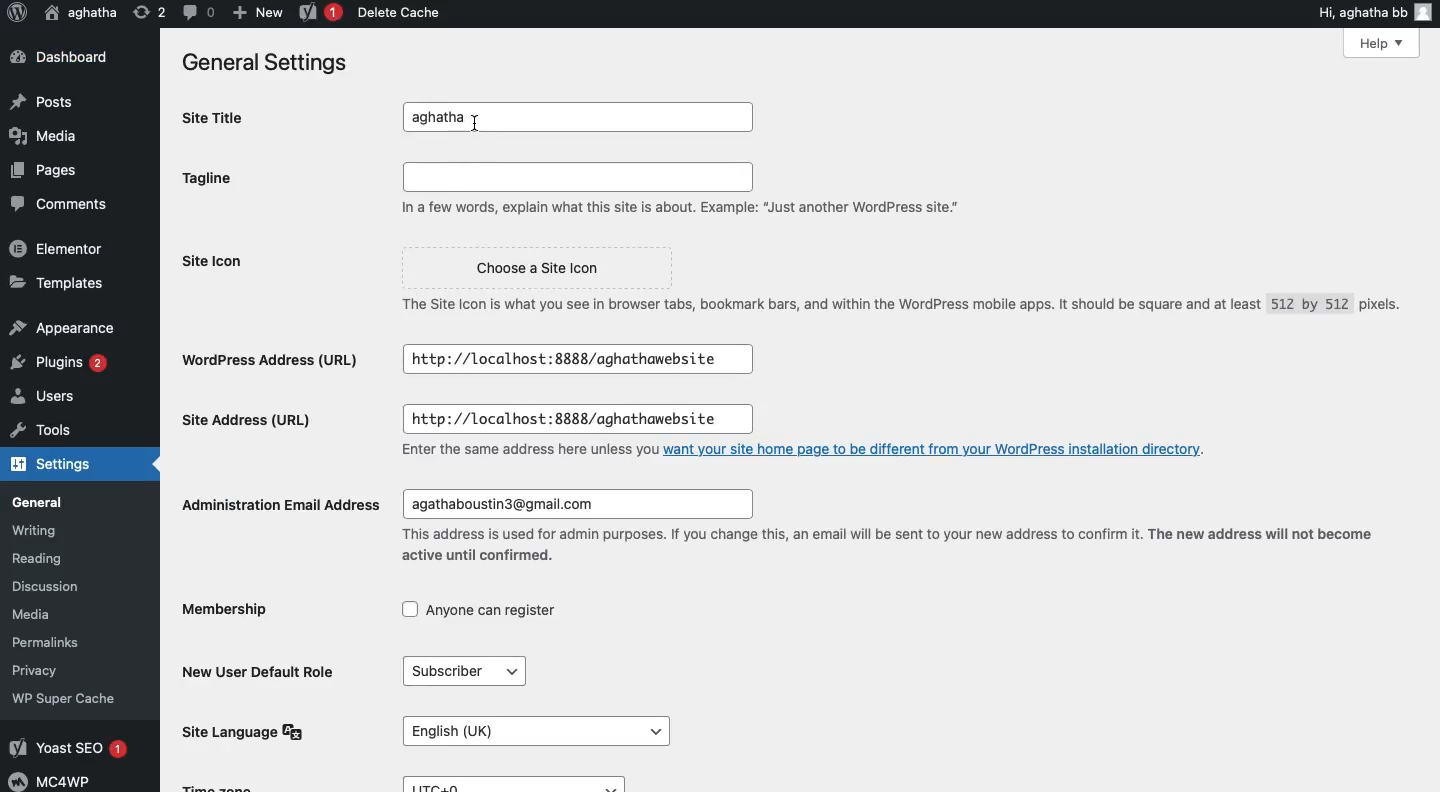 The width and height of the screenshot is (1440, 792). I want to click on Enter the same address here unless you, so click(527, 451).